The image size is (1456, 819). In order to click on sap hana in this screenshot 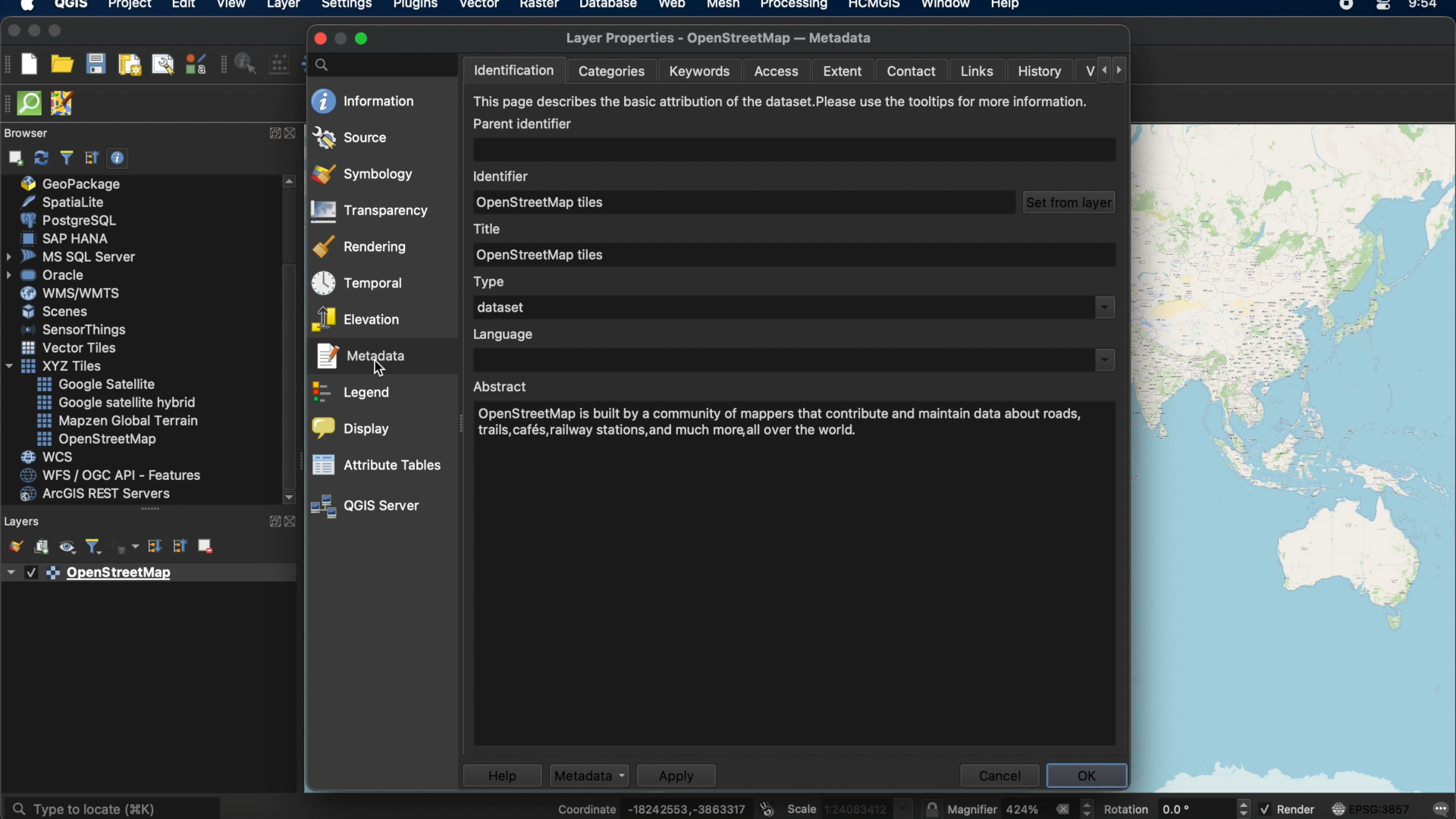, I will do `click(69, 239)`.